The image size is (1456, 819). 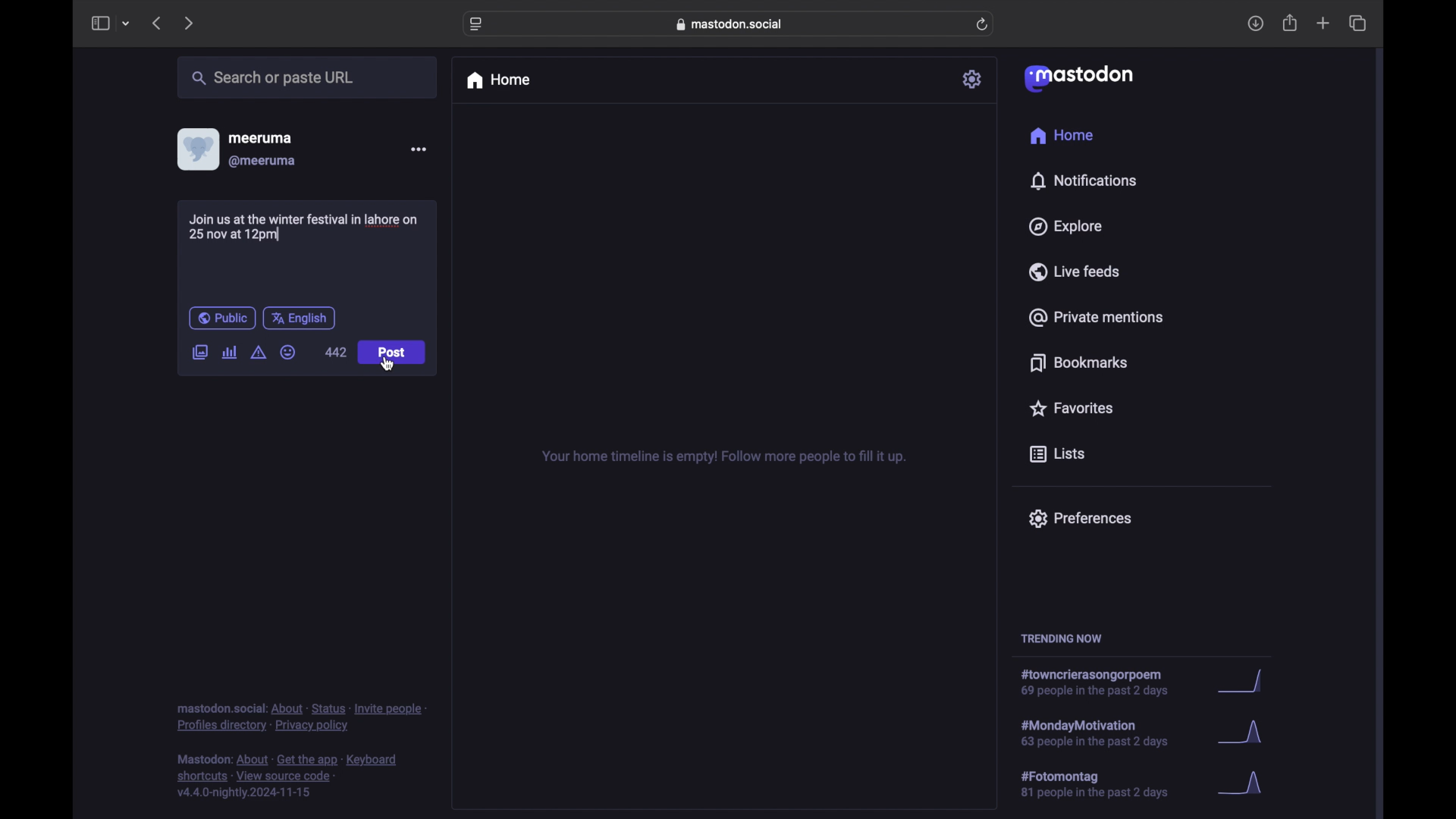 I want to click on graph, so click(x=1245, y=784).